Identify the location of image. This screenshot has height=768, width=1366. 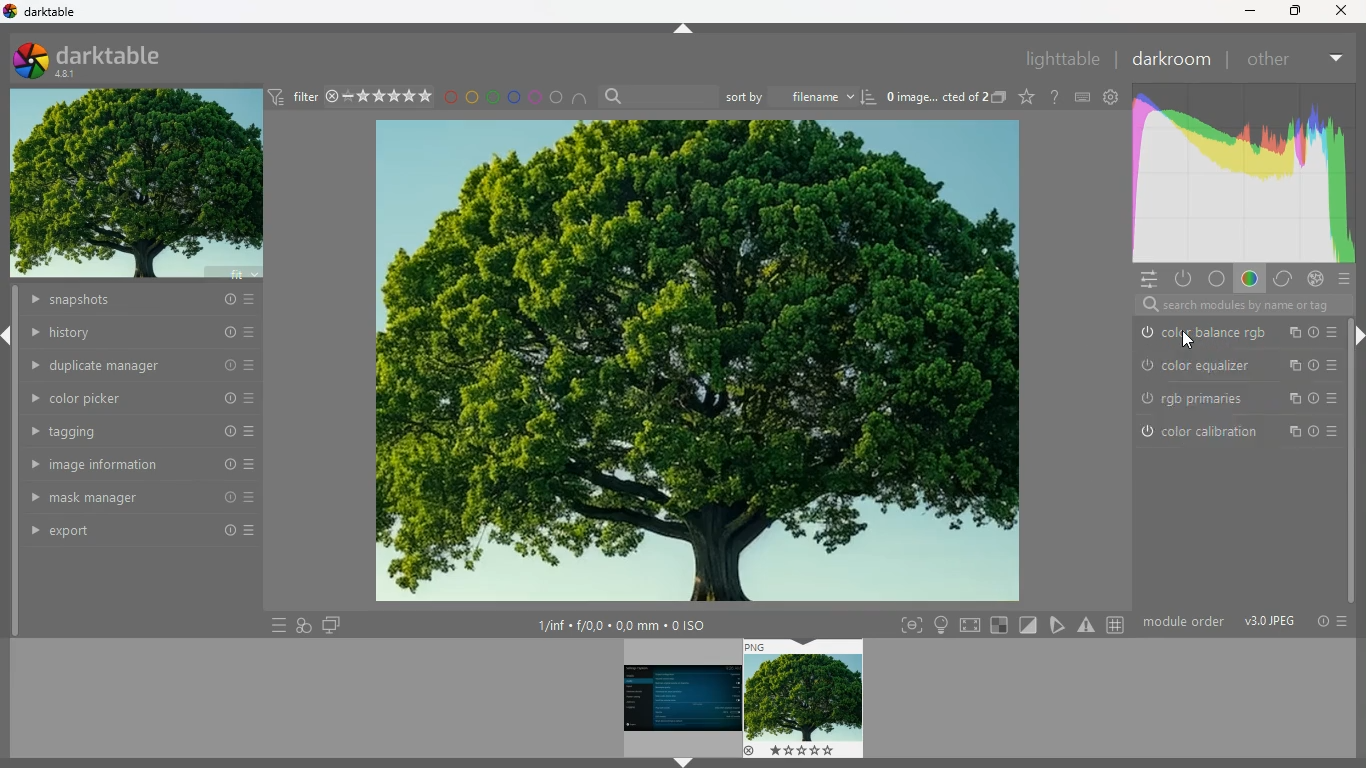
(805, 699).